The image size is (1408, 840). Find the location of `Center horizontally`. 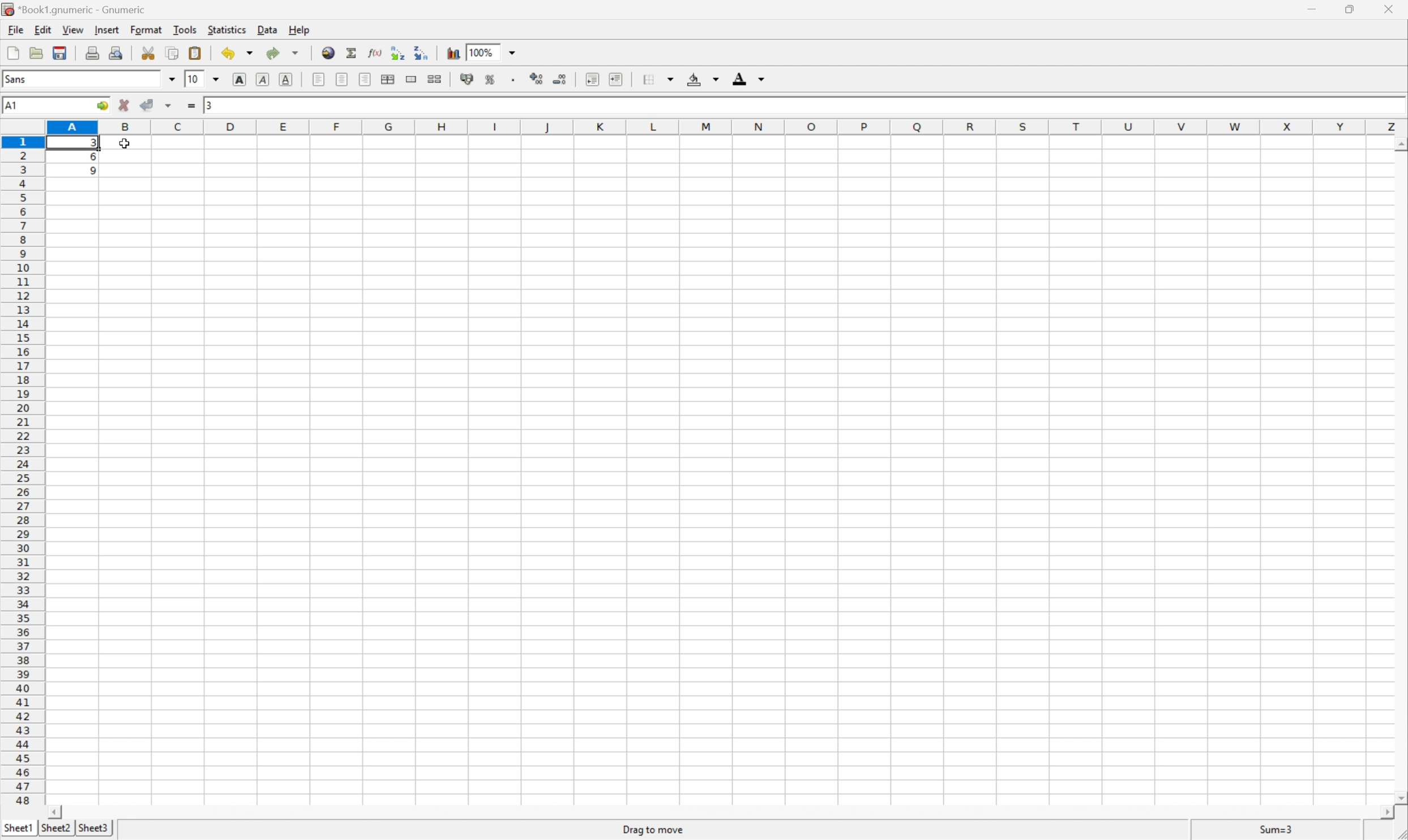

Center horizontally is located at coordinates (341, 79).